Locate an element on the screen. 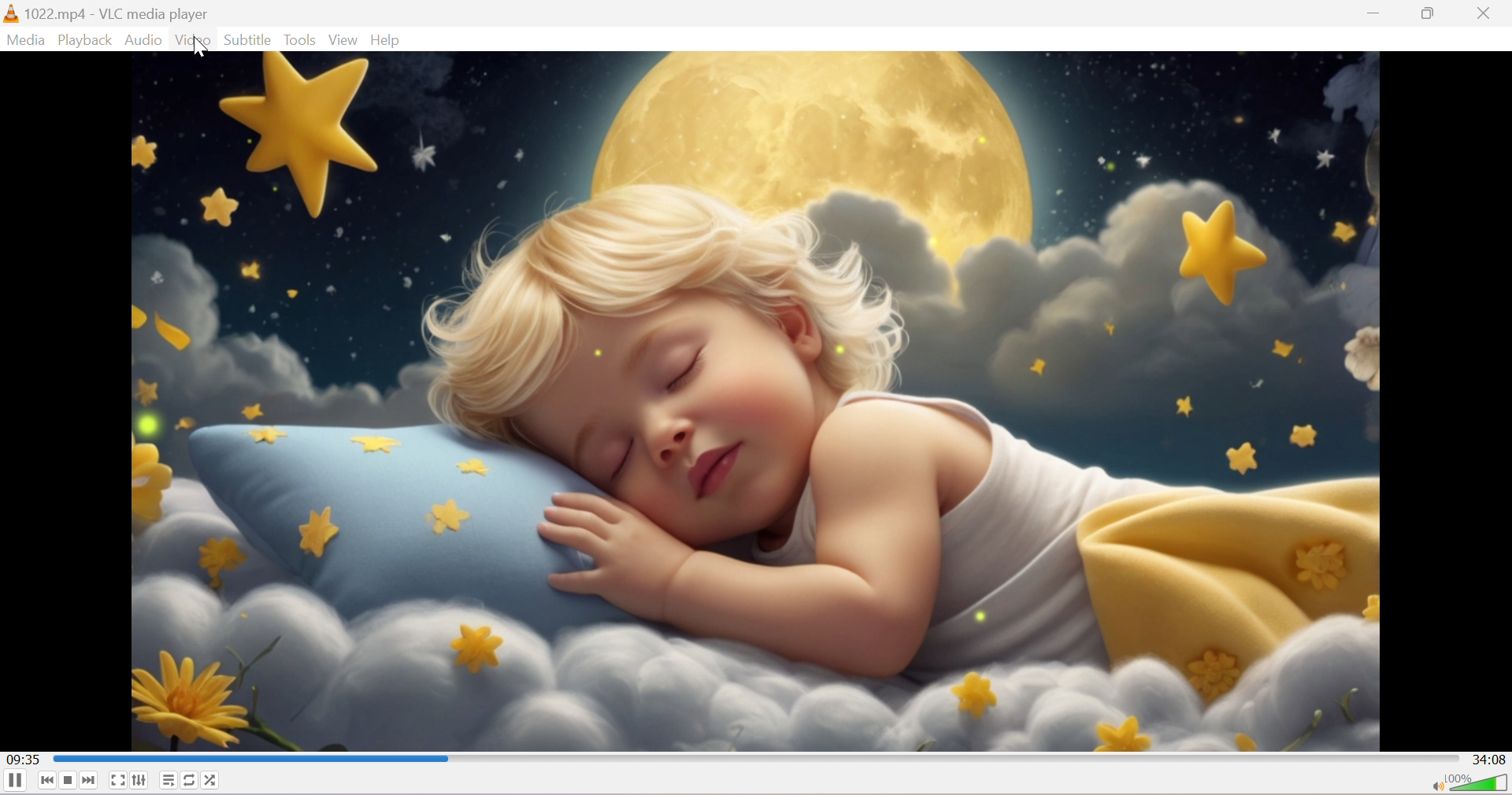 Image resolution: width=1512 pixels, height=795 pixels. wallpaper is located at coordinates (757, 401).